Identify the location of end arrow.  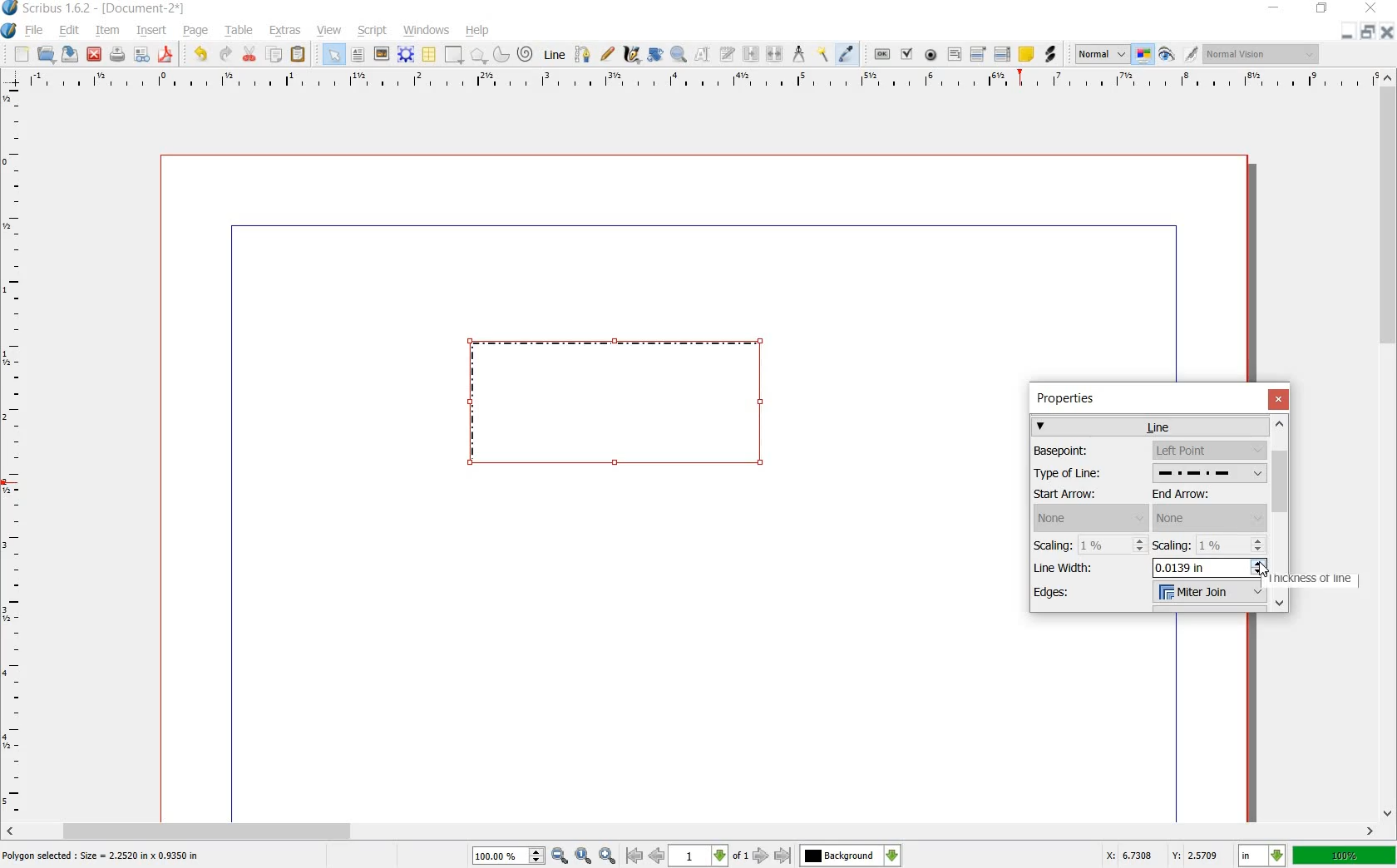
(1210, 518).